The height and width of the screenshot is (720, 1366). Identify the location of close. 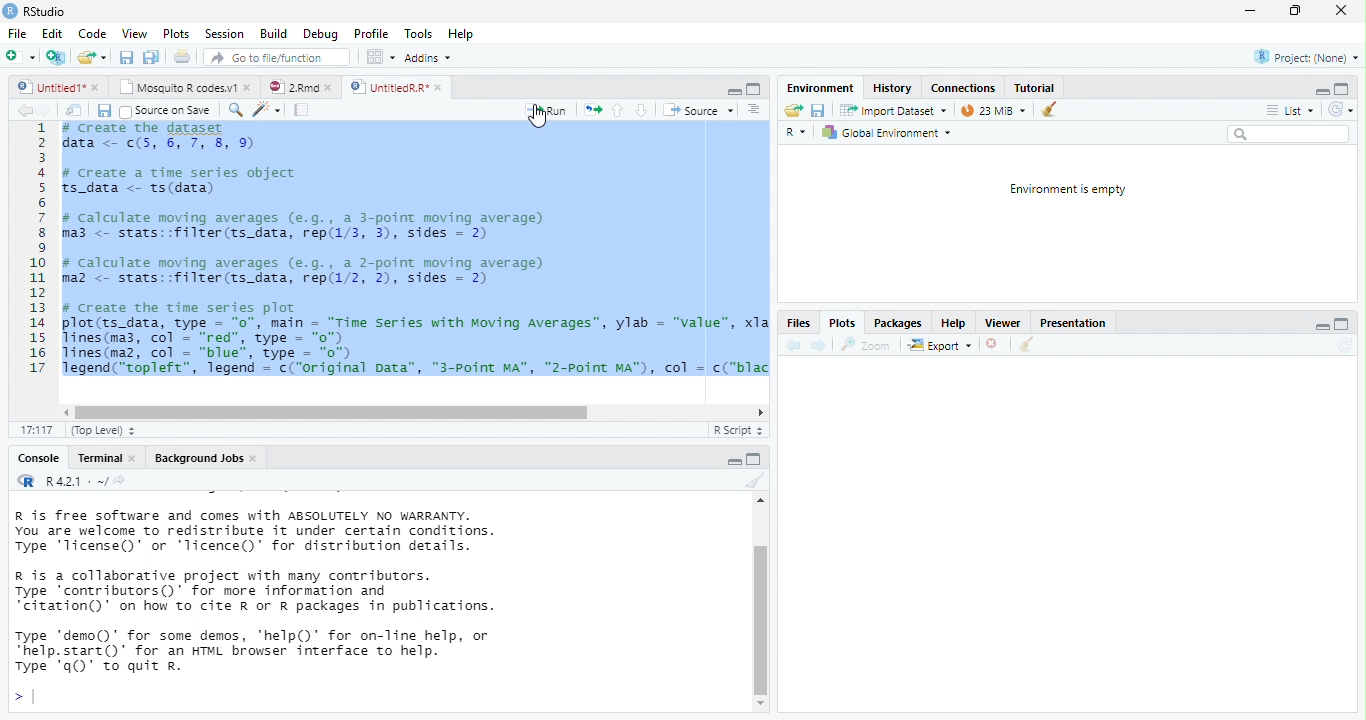
(250, 86).